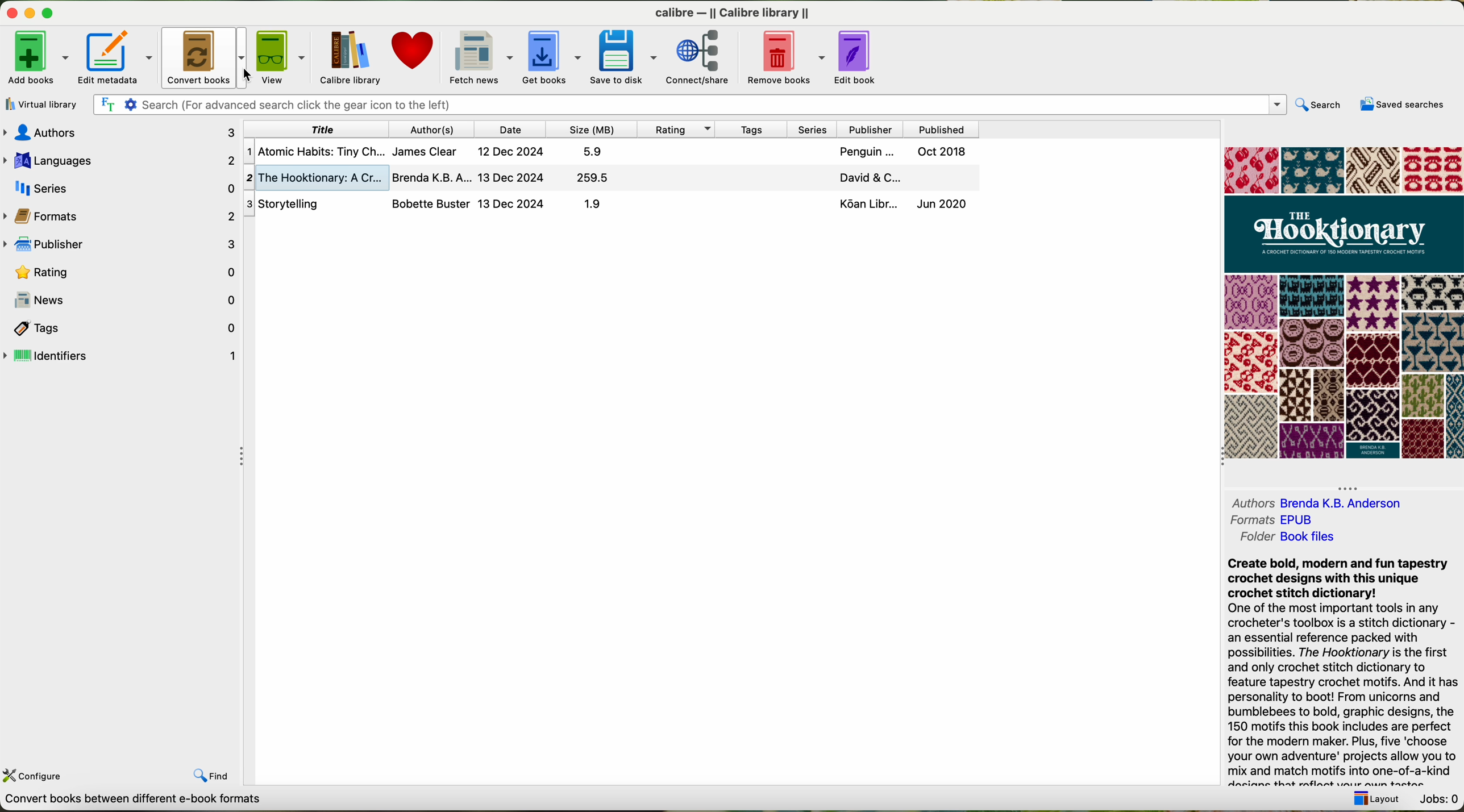 The height and width of the screenshot is (812, 1464). What do you see at coordinates (212, 773) in the screenshot?
I see `find` at bounding box center [212, 773].